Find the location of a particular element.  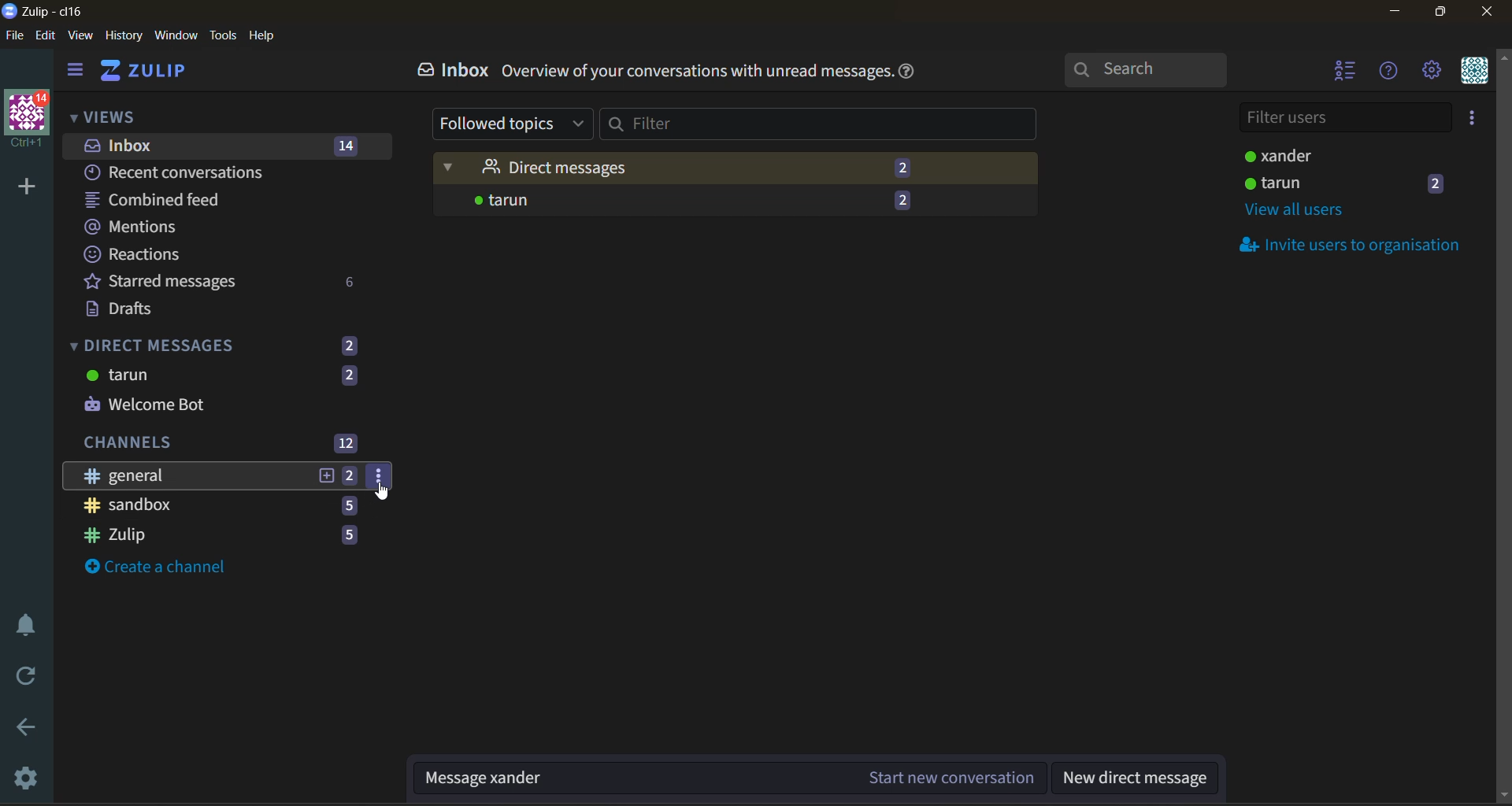

reload is located at coordinates (32, 677).